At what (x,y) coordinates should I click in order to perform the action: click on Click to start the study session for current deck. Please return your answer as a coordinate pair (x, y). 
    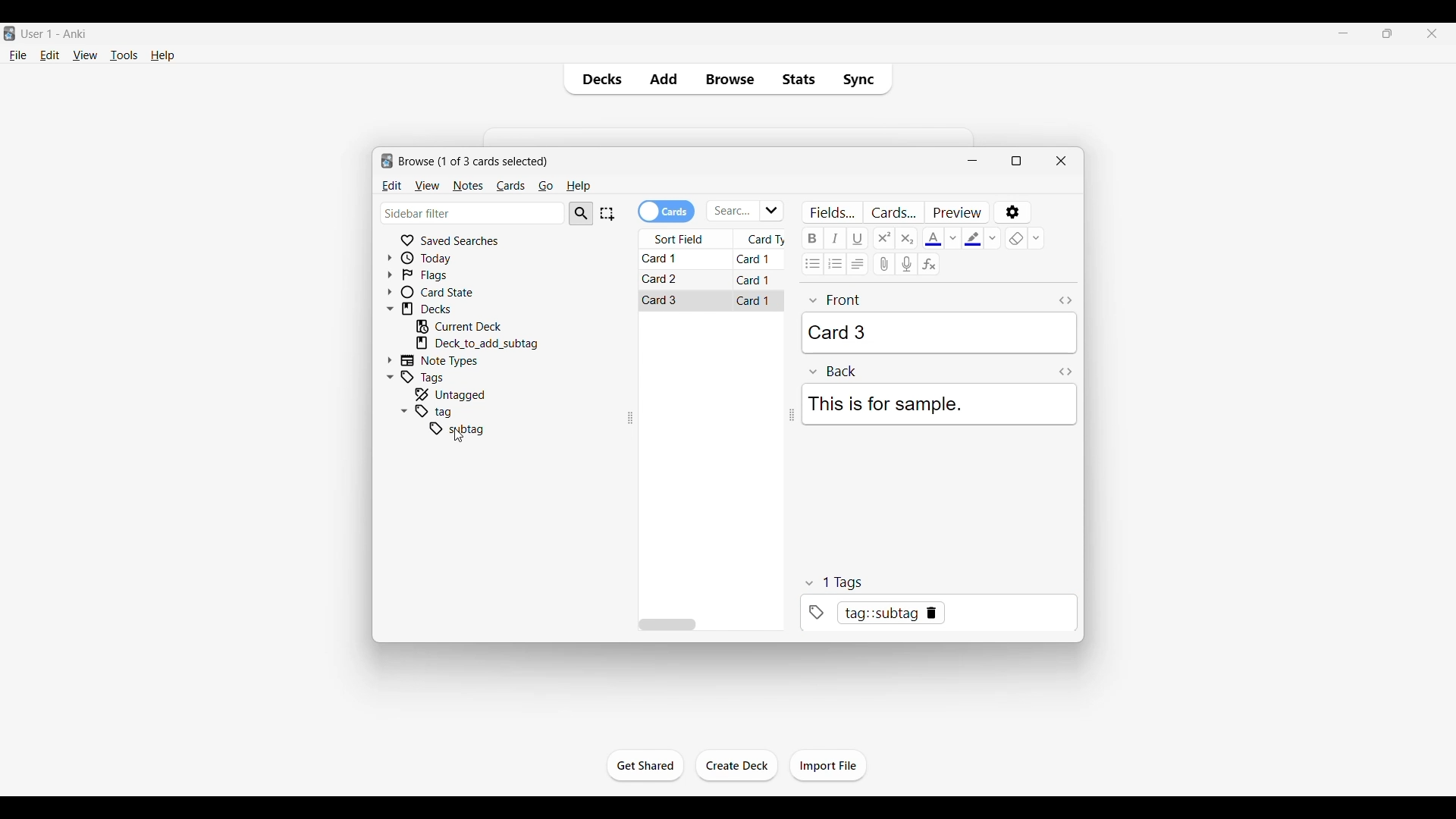
    Looking at the image, I should click on (645, 766).